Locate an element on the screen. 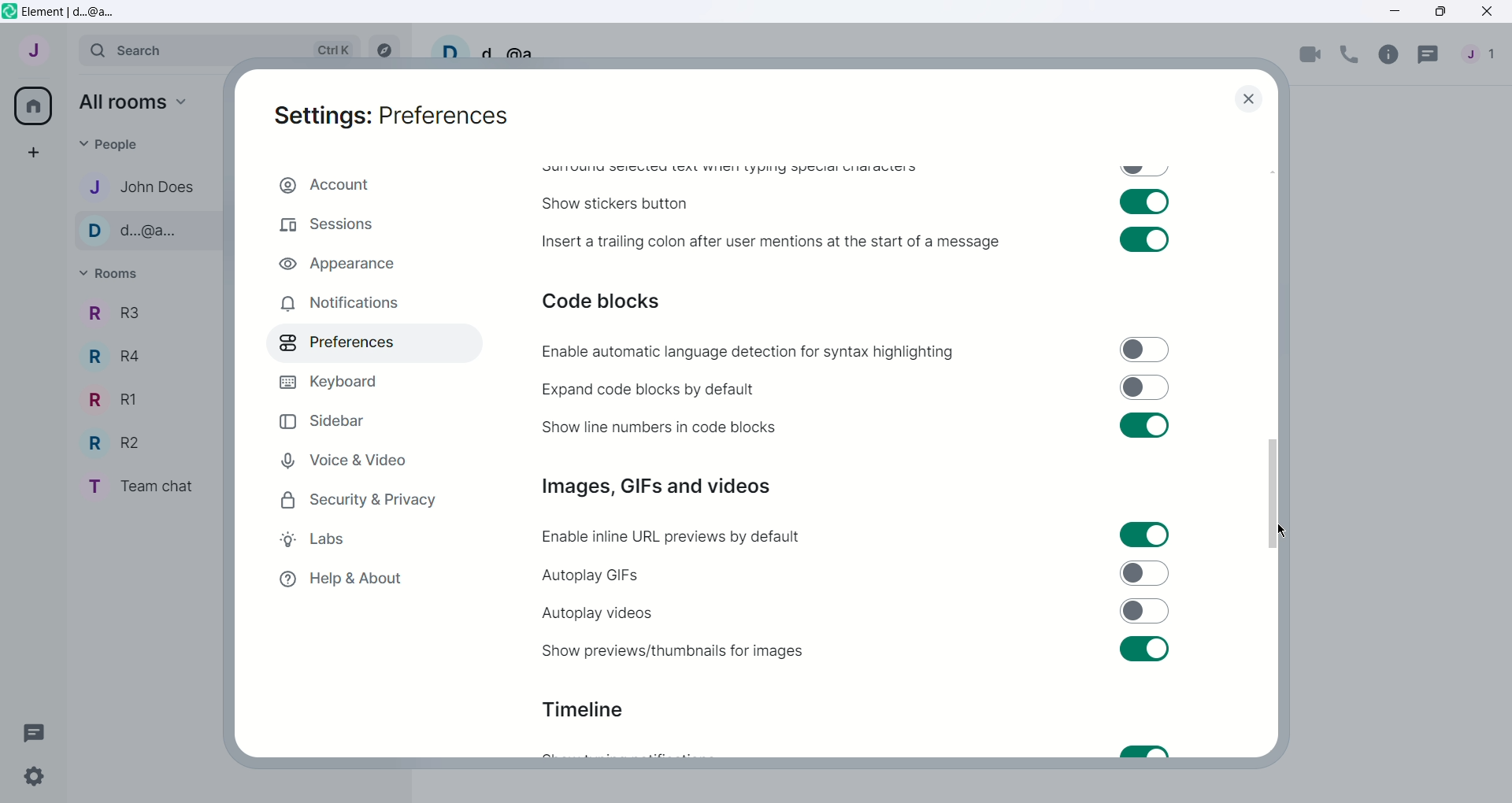 The image size is (1512, 803). All rooms is located at coordinates (31, 106).